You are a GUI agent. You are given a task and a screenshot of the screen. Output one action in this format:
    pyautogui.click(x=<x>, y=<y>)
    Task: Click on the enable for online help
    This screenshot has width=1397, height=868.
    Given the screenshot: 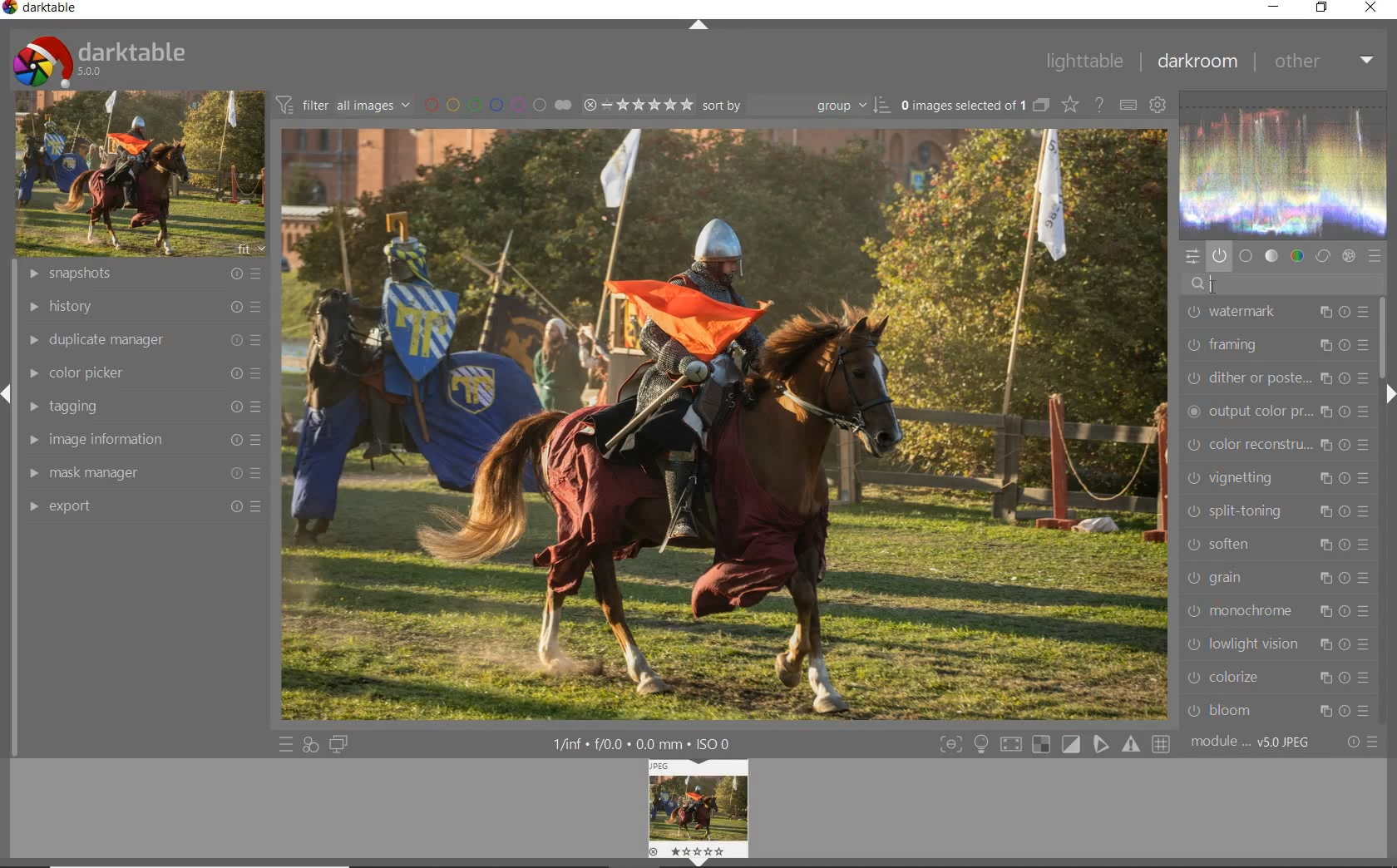 What is the action you would take?
    pyautogui.click(x=1099, y=104)
    